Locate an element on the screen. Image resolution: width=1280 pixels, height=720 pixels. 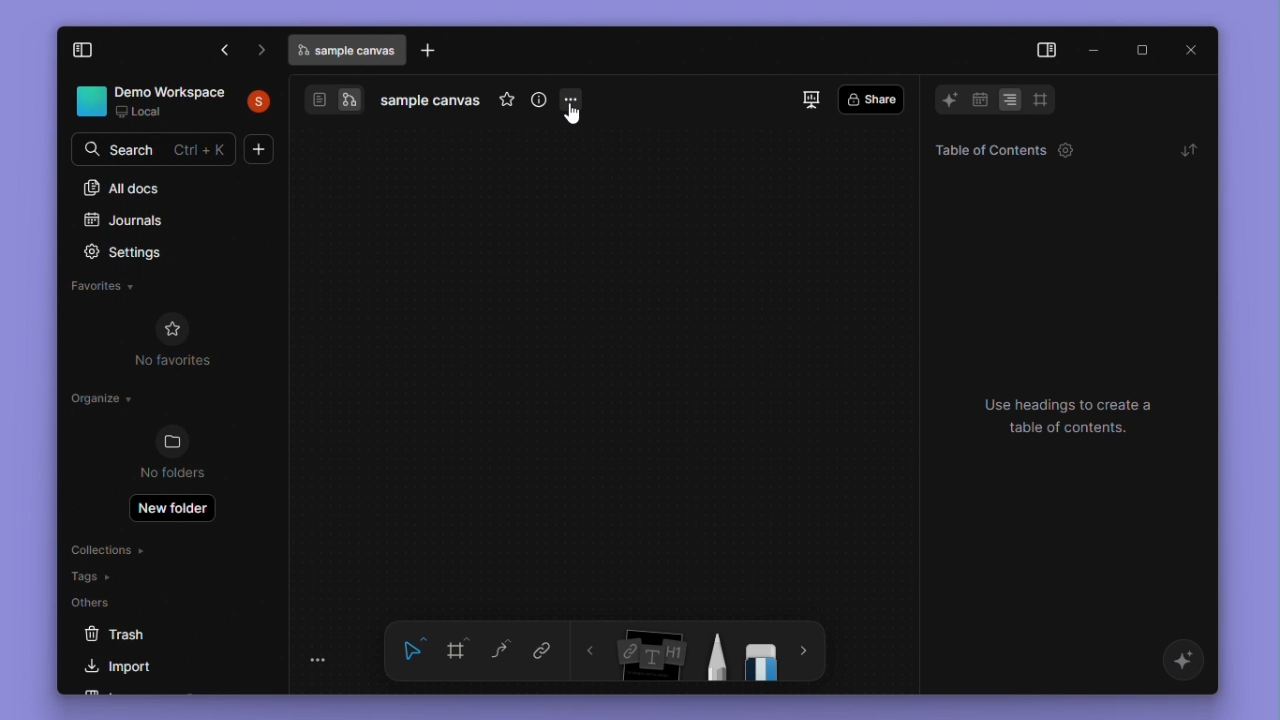
New folder is located at coordinates (173, 510).